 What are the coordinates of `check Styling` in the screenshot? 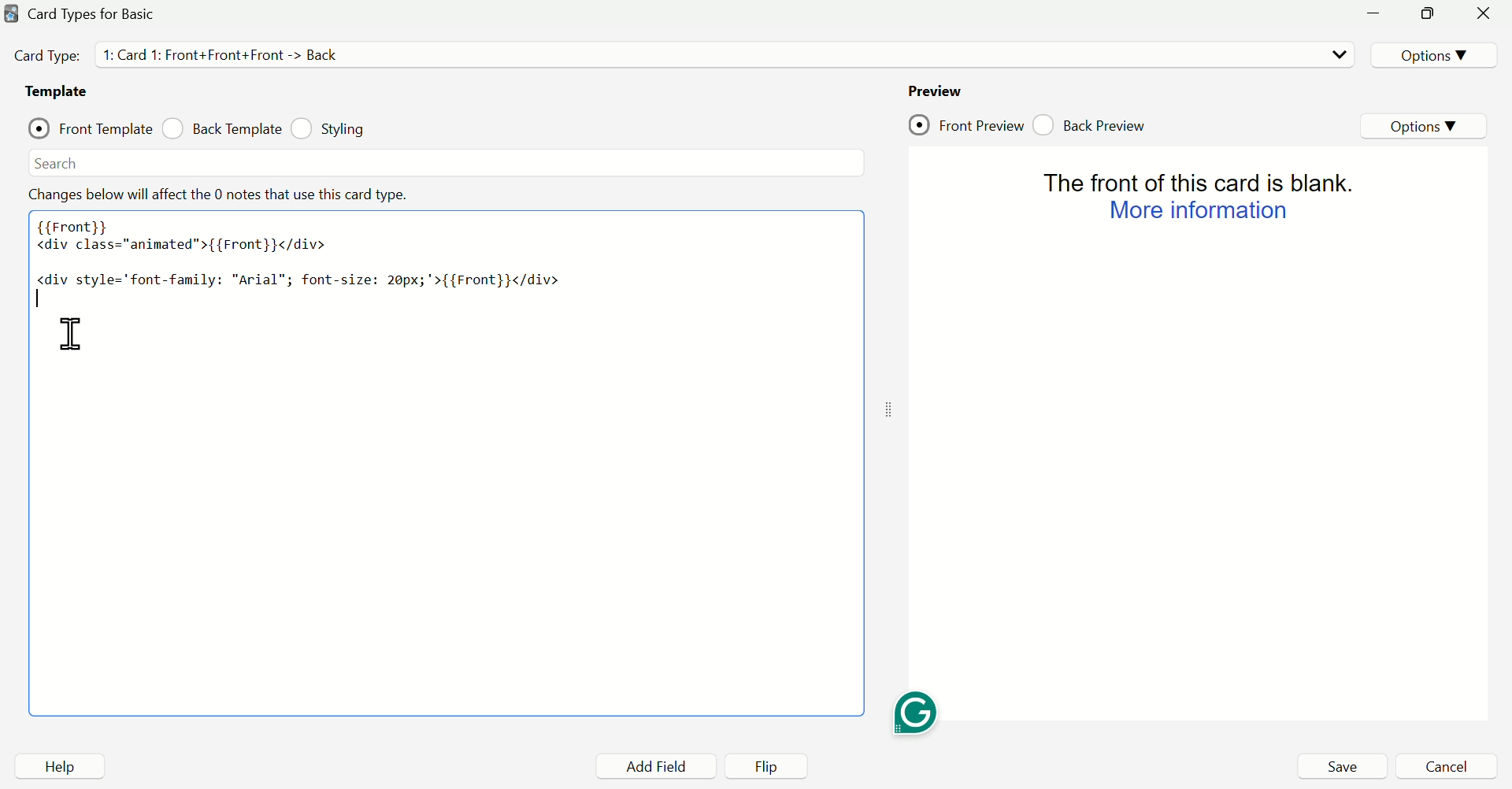 It's located at (334, 130).